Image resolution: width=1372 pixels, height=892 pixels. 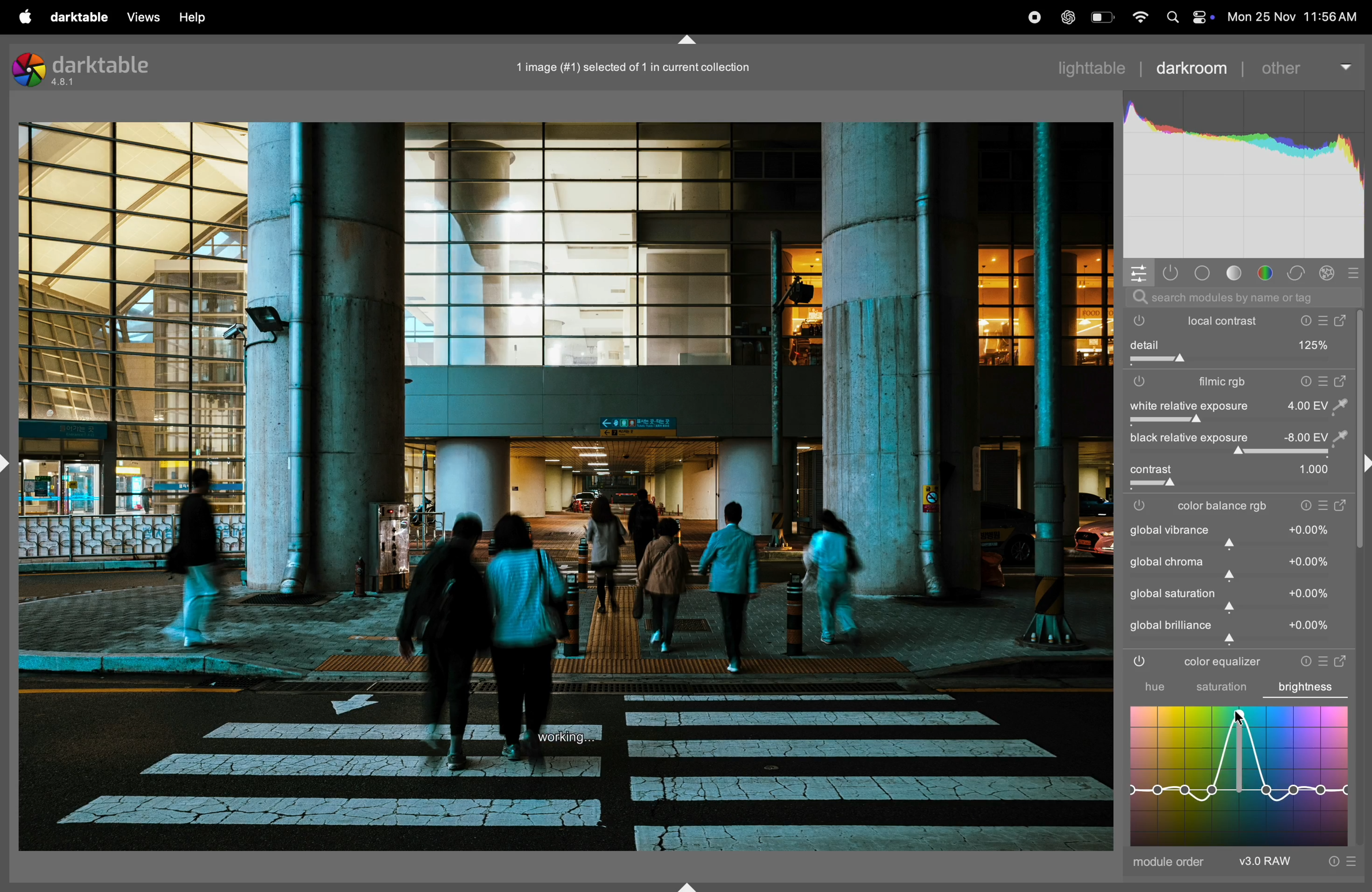 What do you see at coordinates (1036, 16) in the screenshot?
I see `record` at bounding box center [1036, 16].